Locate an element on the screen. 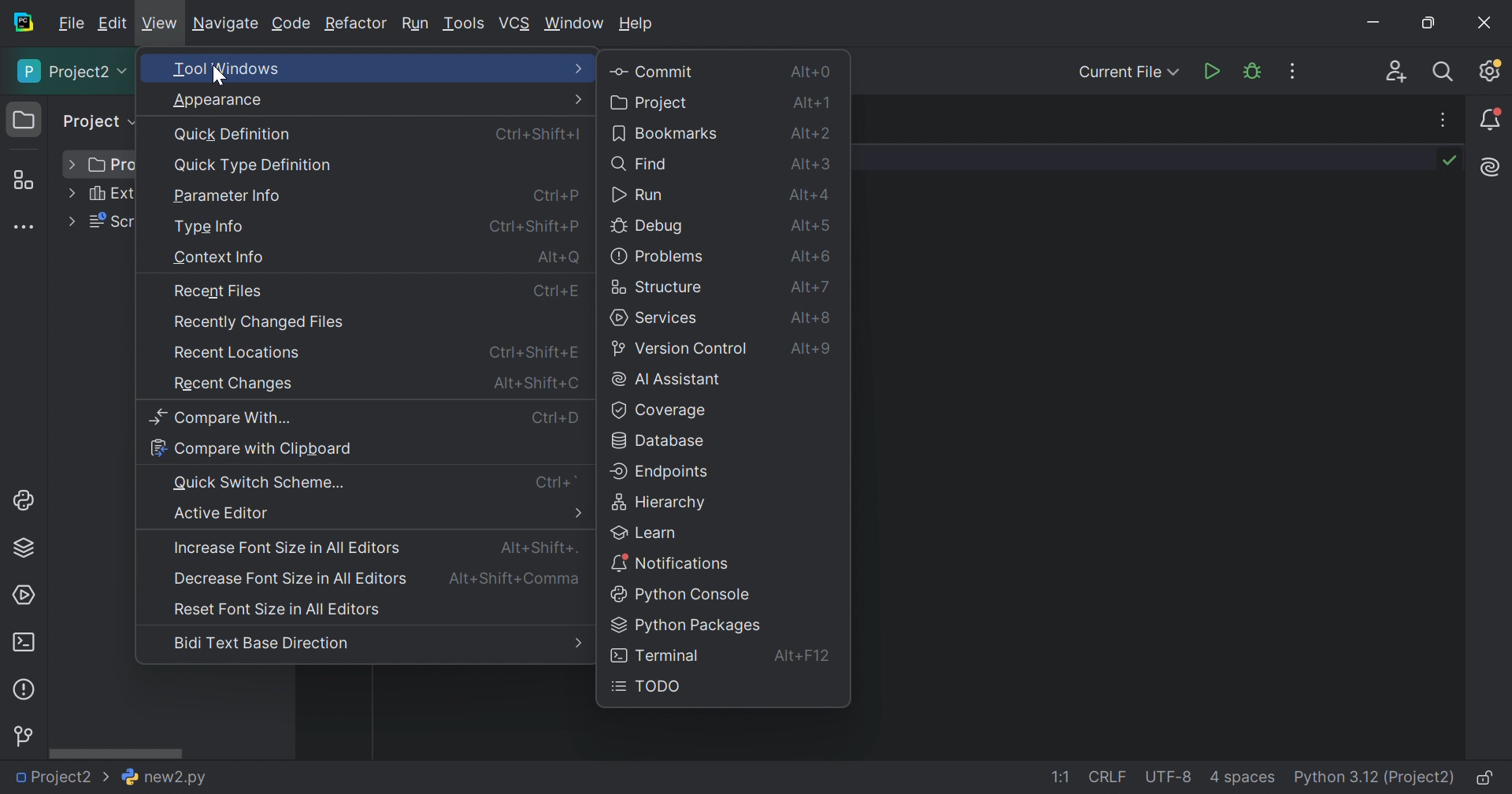 The height and width of the screenshot is (794, 1512). Project is located at coordinates (99, 121).